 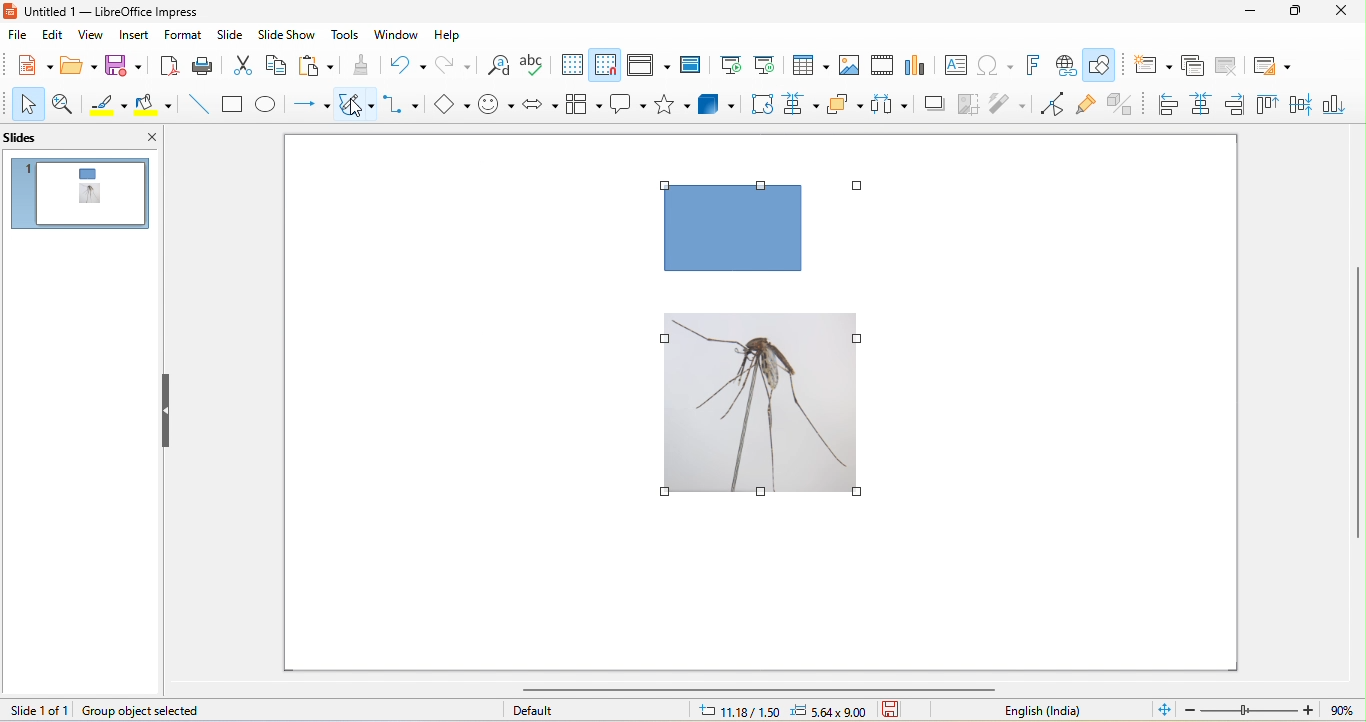 I want to click on format, so click(x=182, y=36).